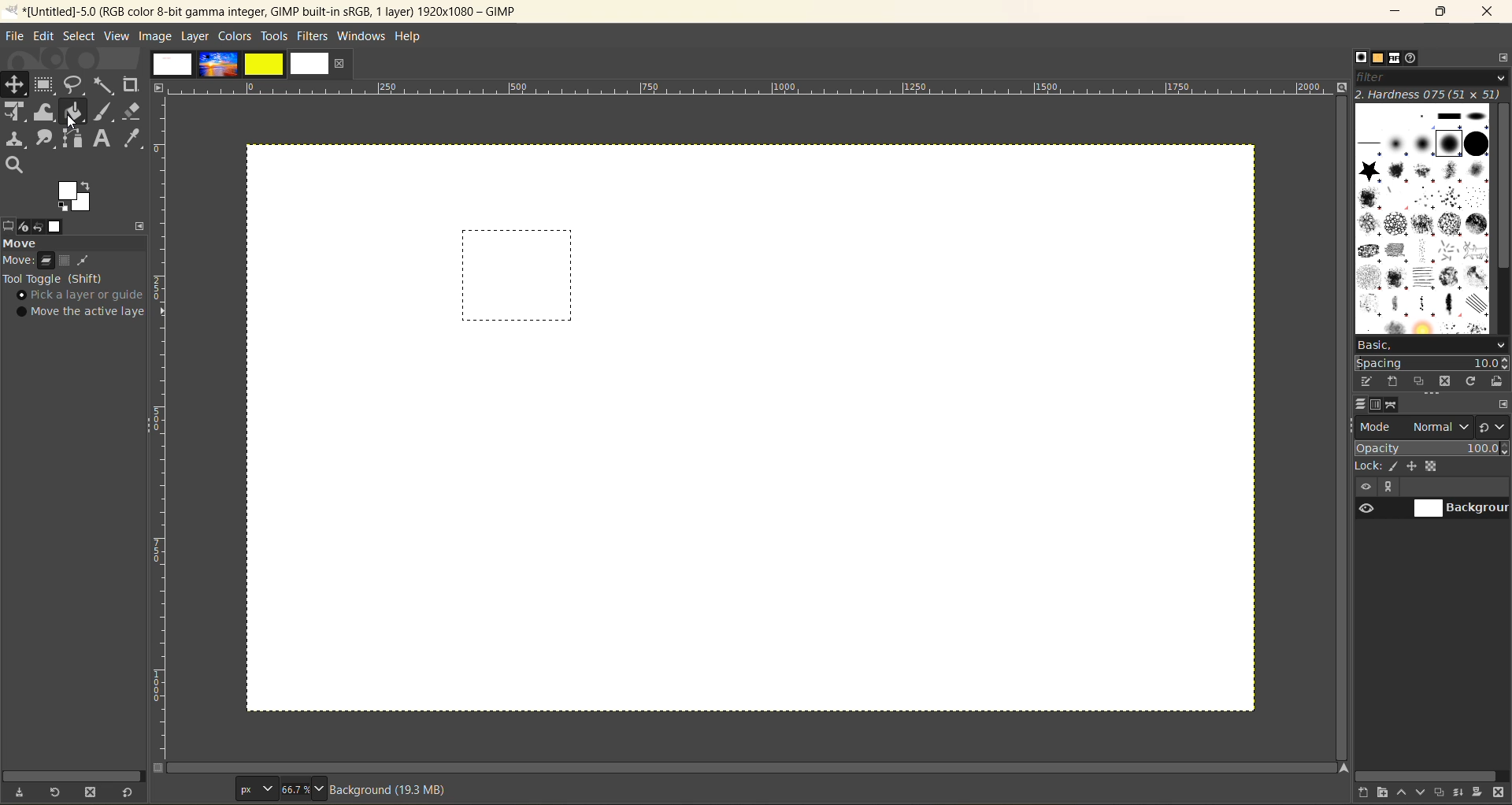  I want to click on tool options, so click(9, 225).